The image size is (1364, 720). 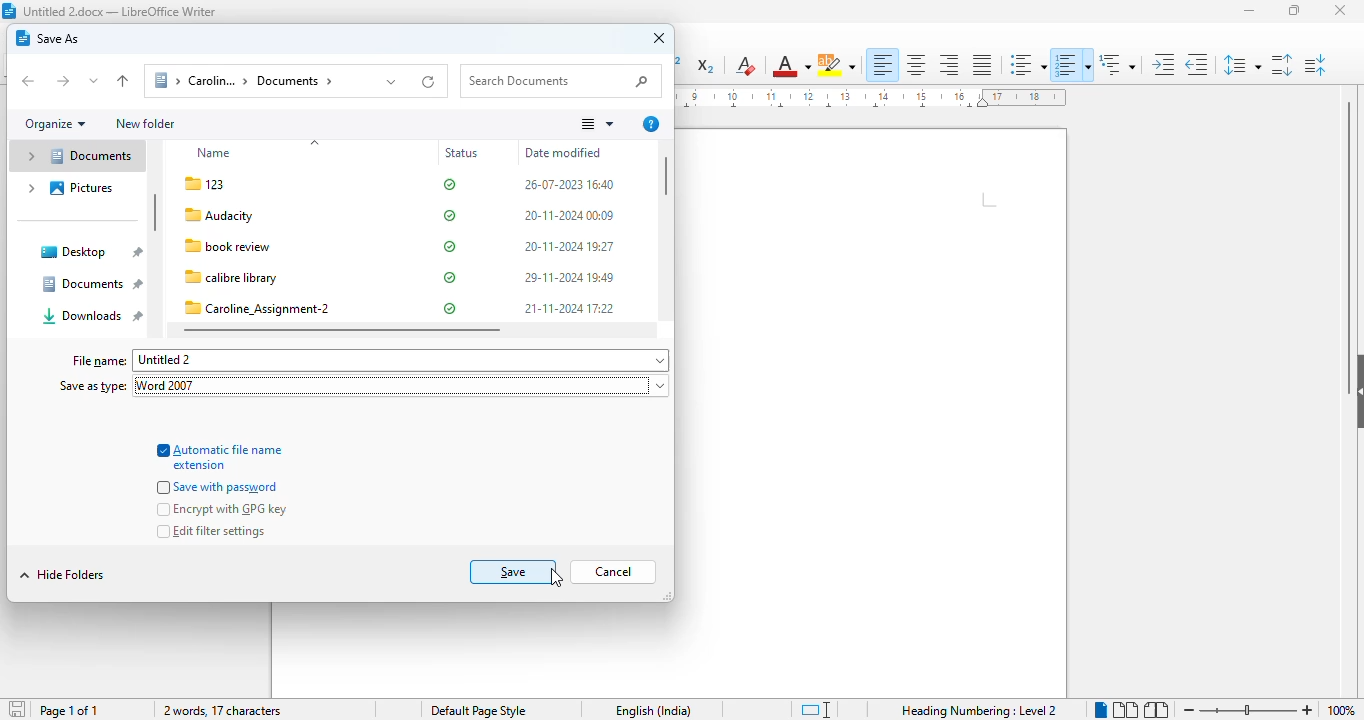 I want to click on heading numbering: level 2, so click(x=978, y=710).